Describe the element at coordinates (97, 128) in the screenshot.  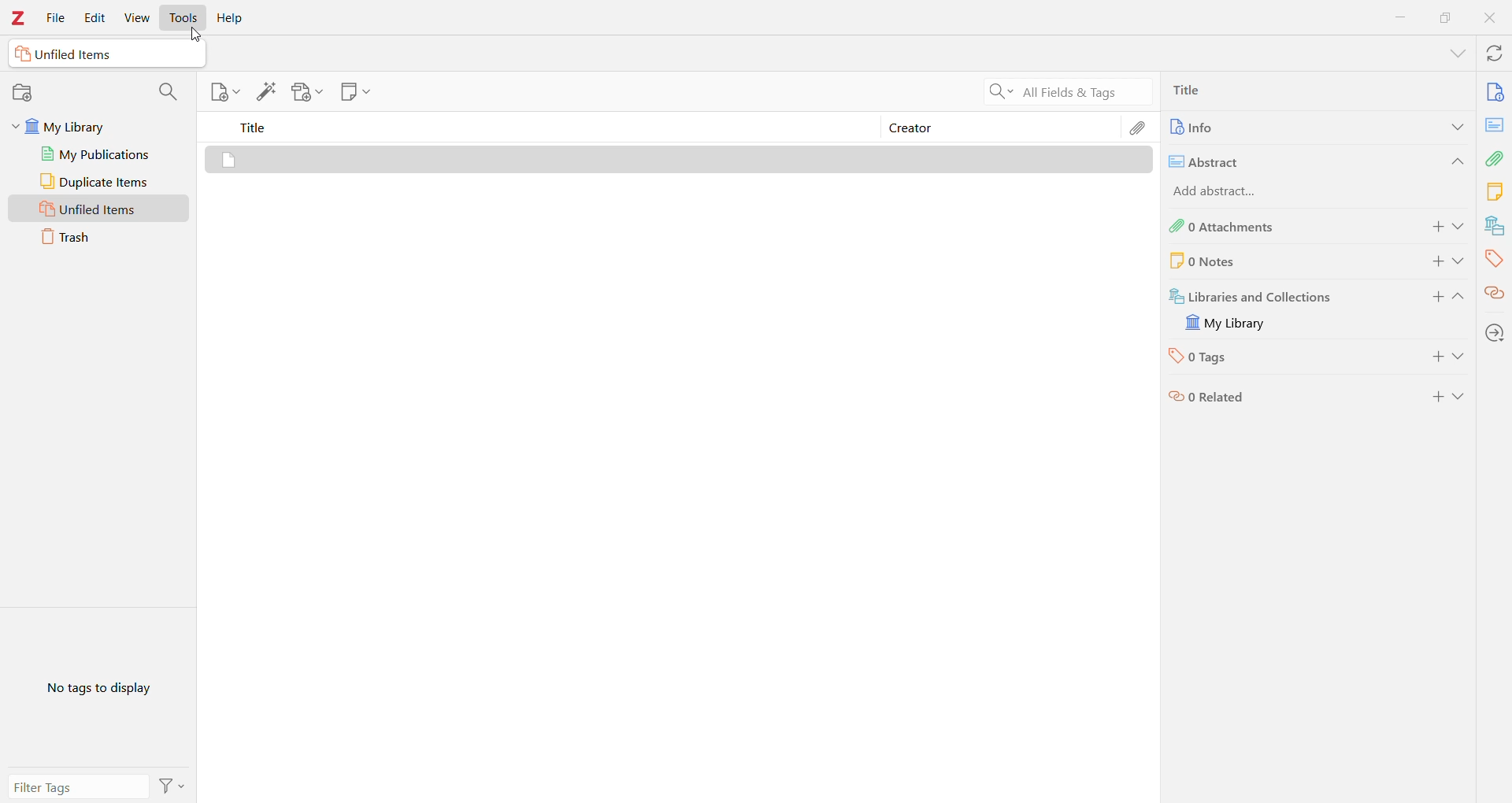
I see `My Library` at that location.